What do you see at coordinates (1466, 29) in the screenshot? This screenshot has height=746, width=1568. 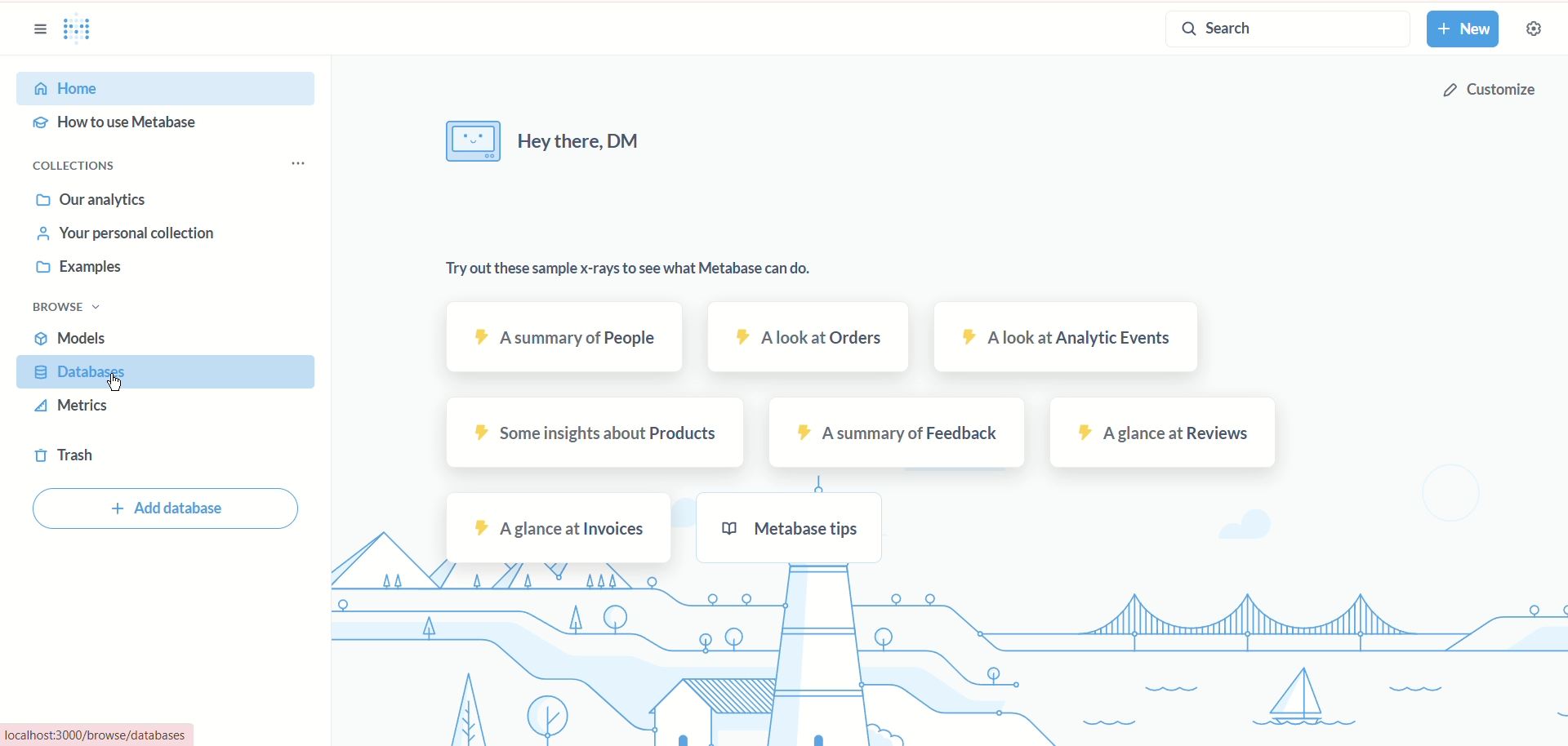 I see `new` at bounding box center [1466, 29].